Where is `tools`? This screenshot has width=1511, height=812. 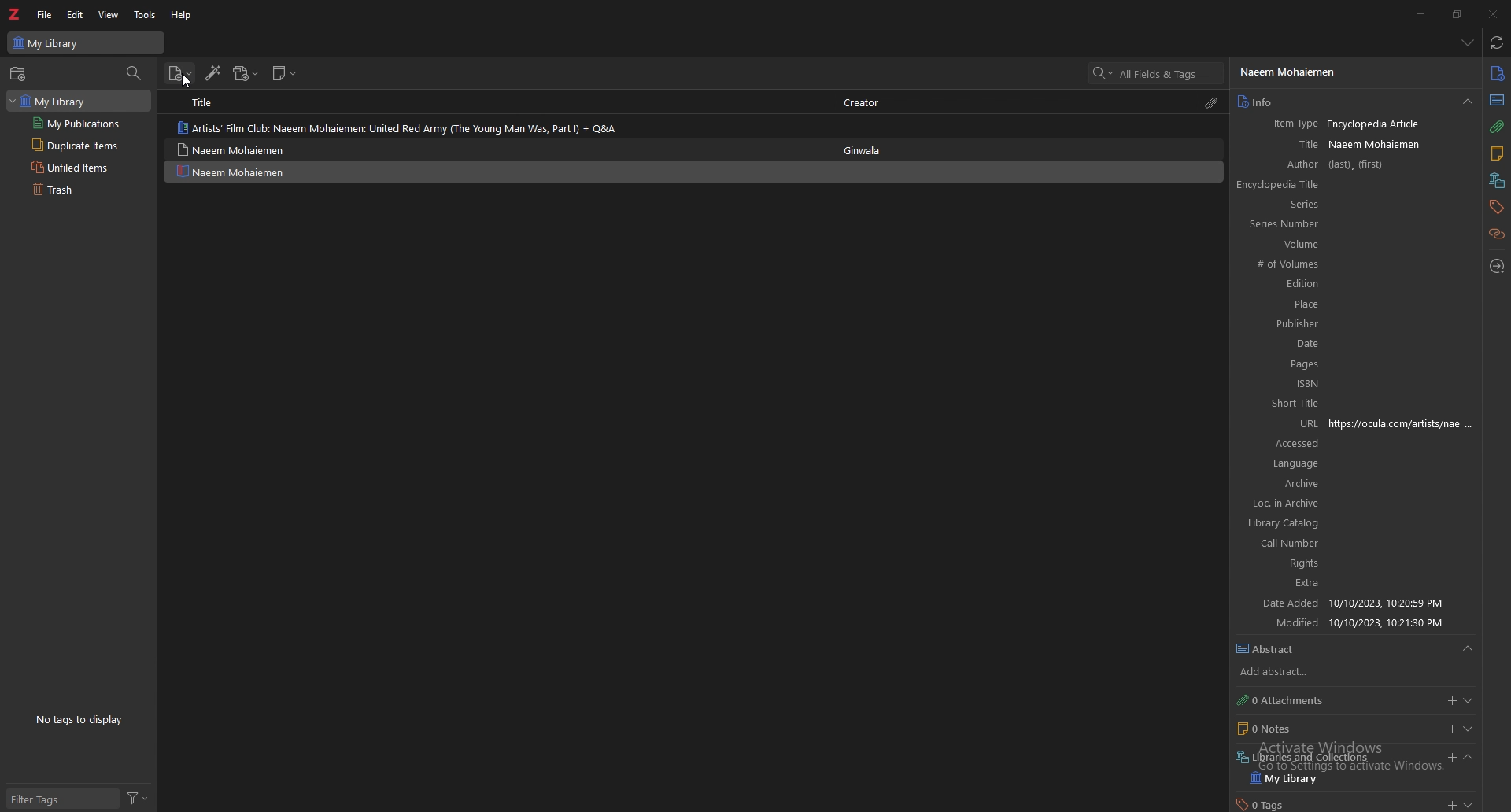 tools is located at coordinates (146, 14).